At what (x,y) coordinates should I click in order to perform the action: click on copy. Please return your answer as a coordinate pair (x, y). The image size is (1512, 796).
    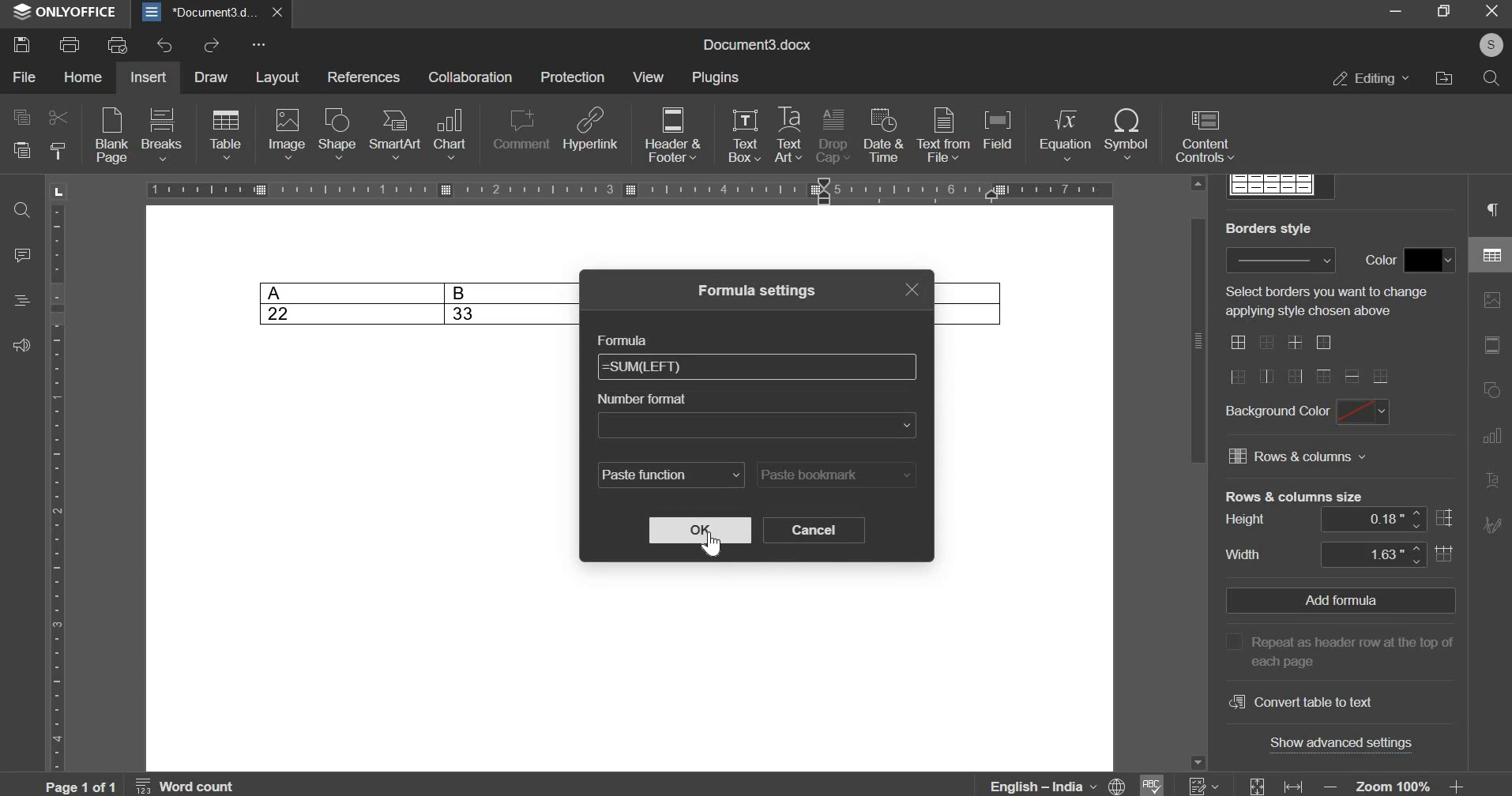
    Looking at the image, I should click on (19, 119).